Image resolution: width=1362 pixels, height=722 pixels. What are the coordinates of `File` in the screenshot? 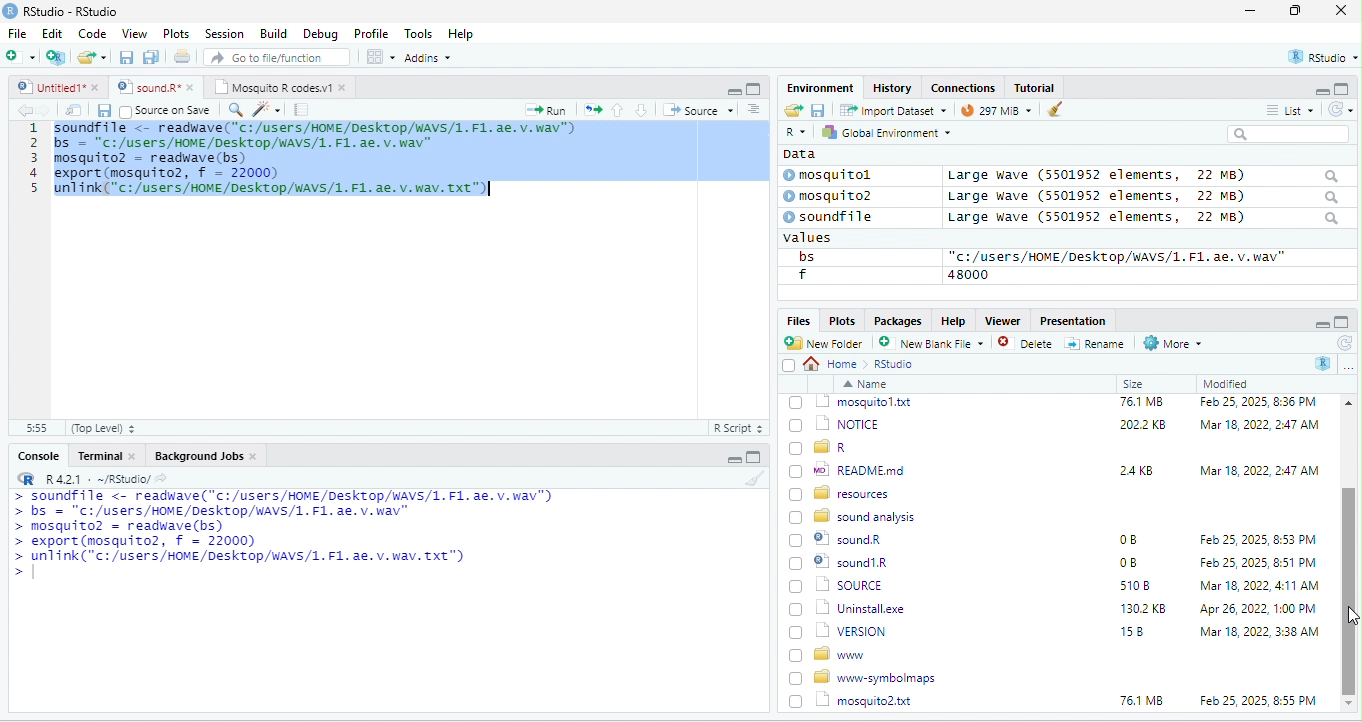 It's located at (17, 33).